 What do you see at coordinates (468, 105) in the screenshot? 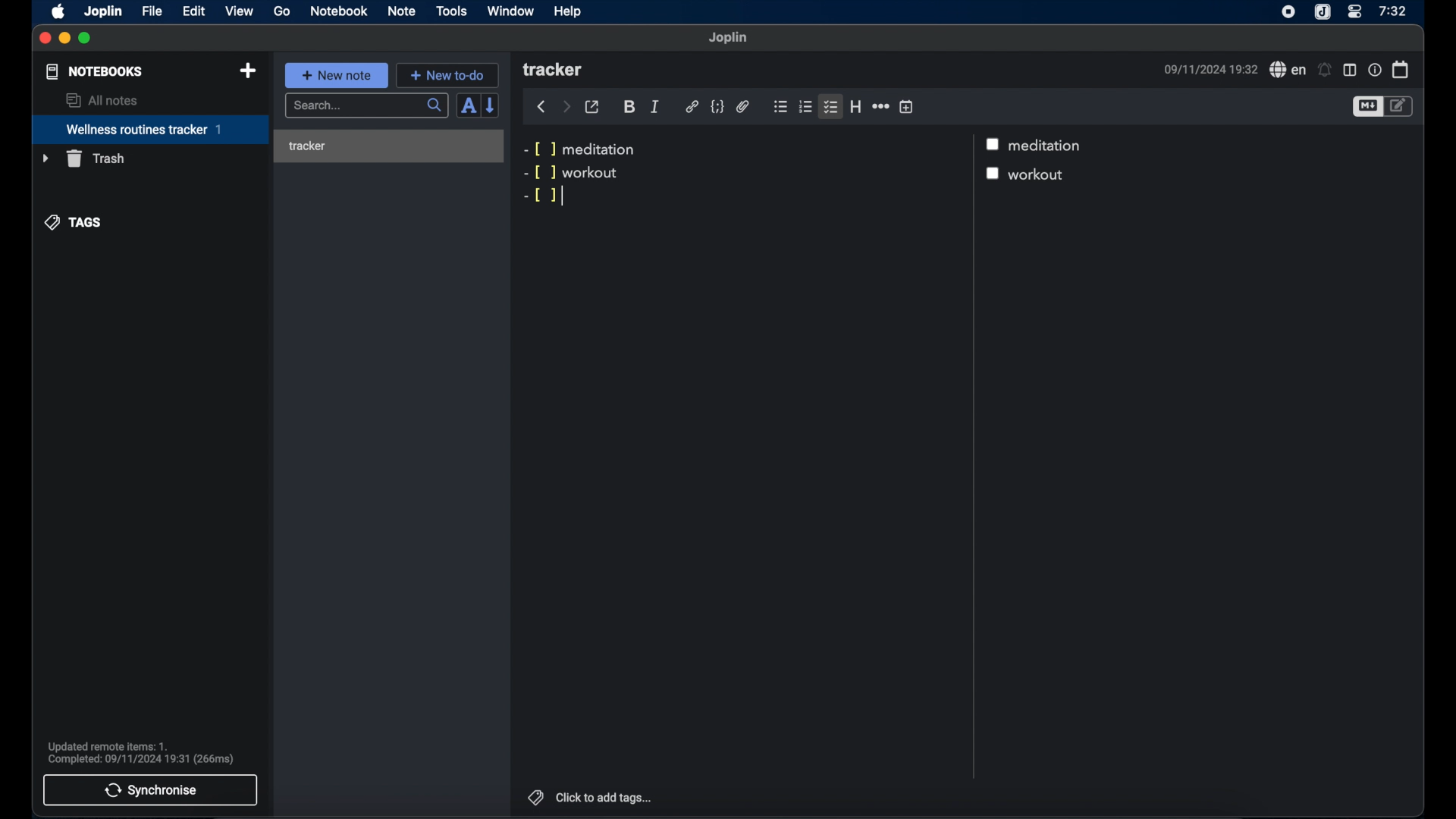
I see `toggle sort order field` at bounding box center [468, 105].